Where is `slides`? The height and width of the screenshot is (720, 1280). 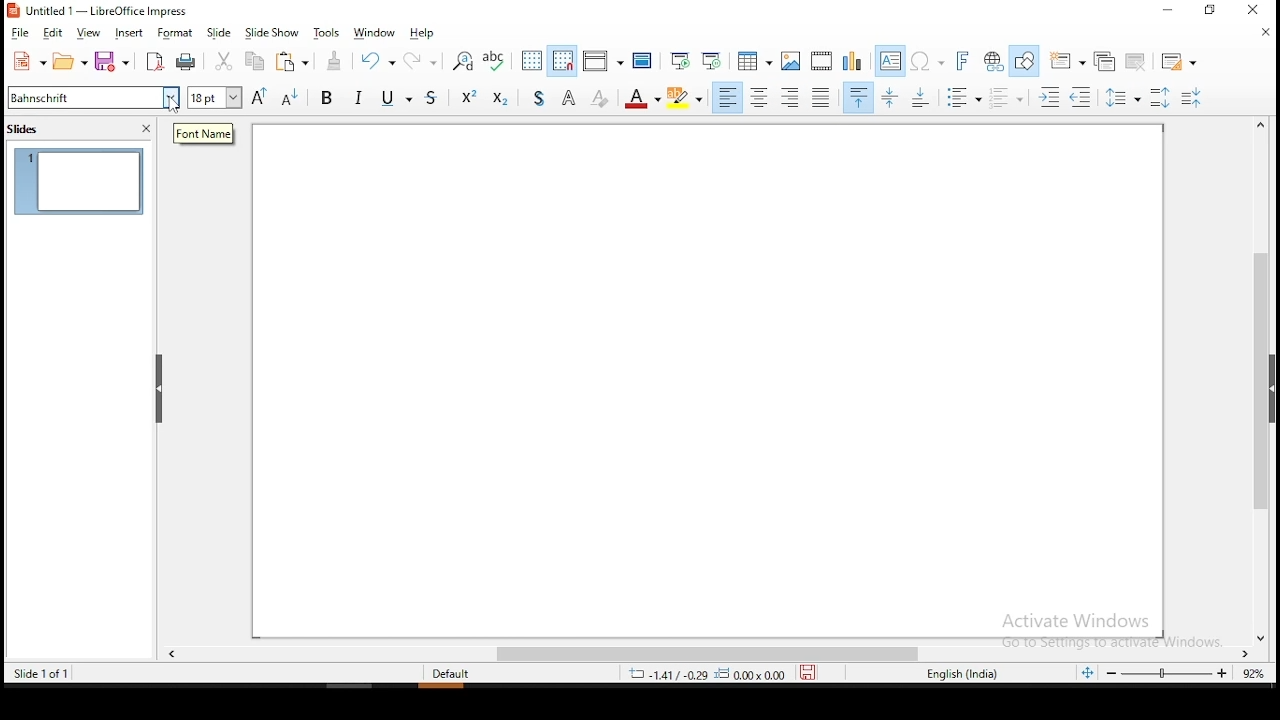
slides is located at coordinates (28, 134).